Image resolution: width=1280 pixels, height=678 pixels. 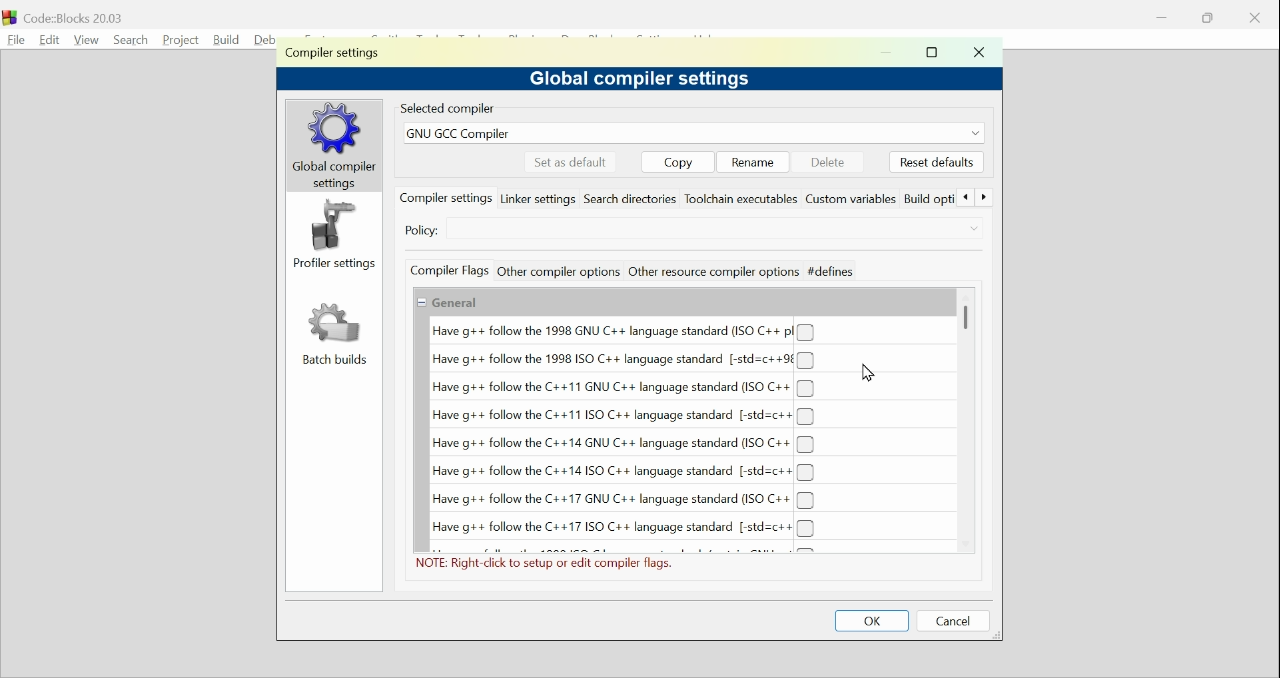 I want to click on Code blocks 20.03, so click(x=65, y=15).